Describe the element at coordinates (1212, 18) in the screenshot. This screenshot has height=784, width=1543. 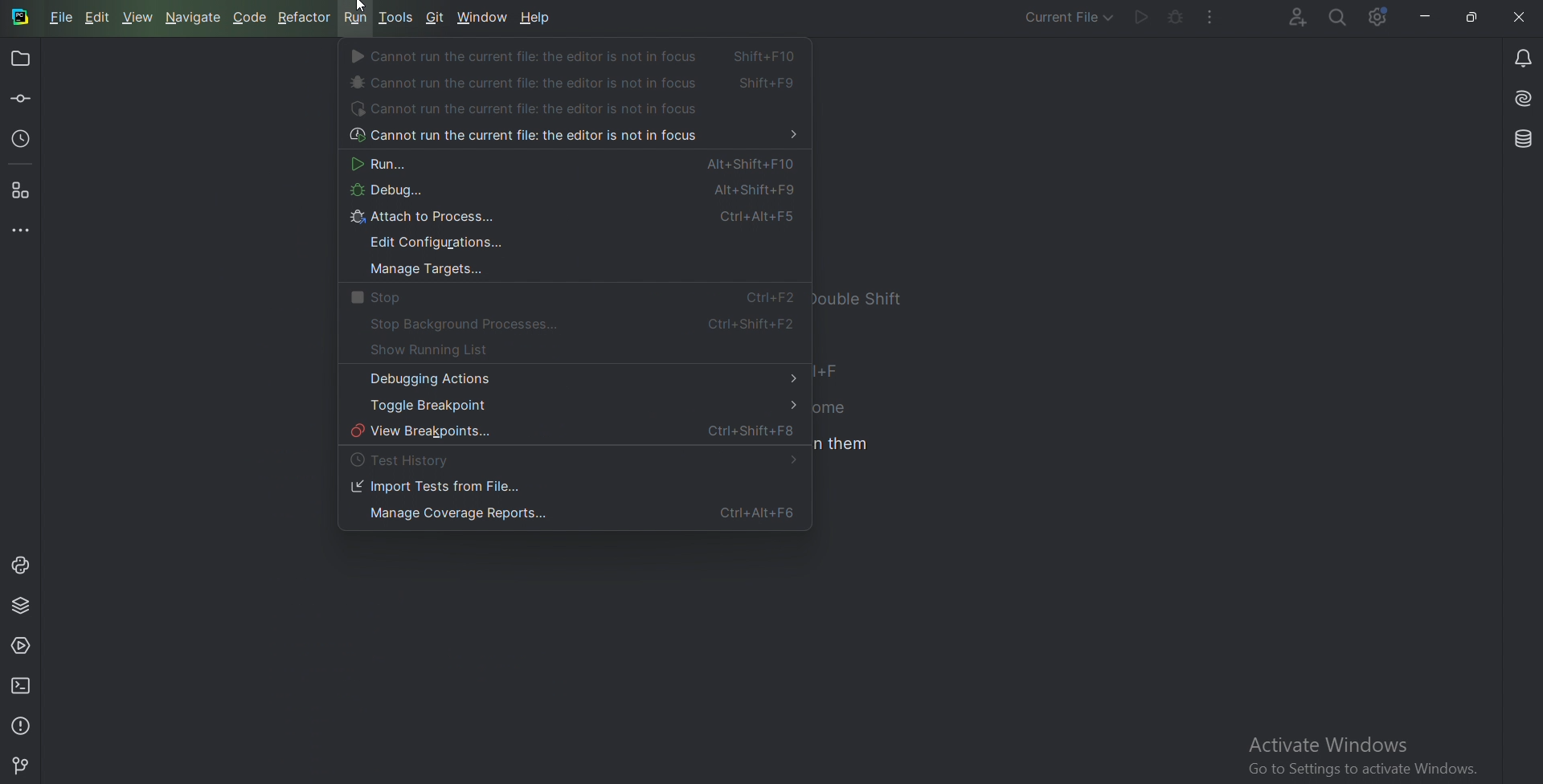
I see `More actions` at that location.